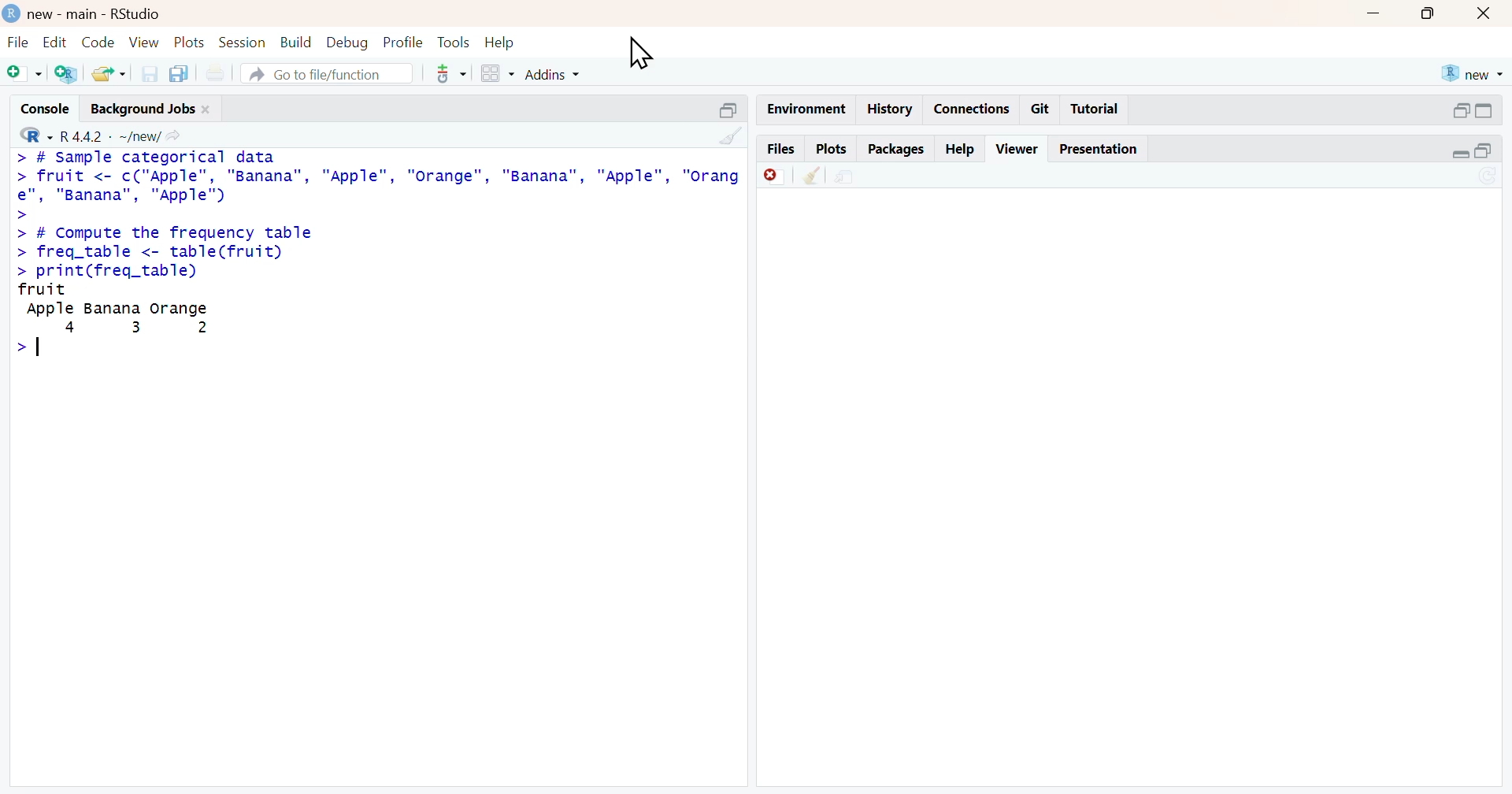 This screenshot has height=794, width=1512. I want to click on code, so click(102, 43).